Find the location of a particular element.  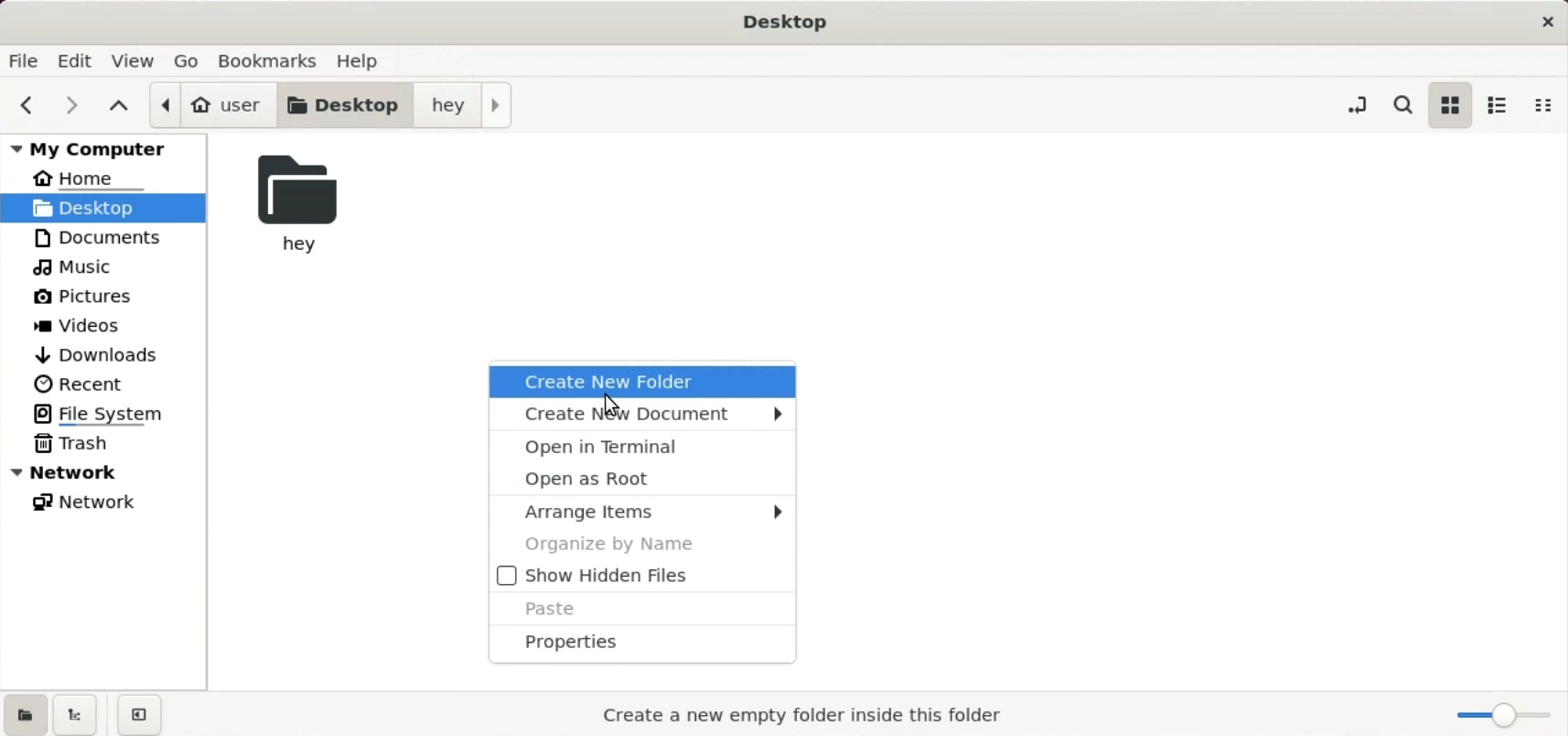

paste is located at coordinates (646, 610).